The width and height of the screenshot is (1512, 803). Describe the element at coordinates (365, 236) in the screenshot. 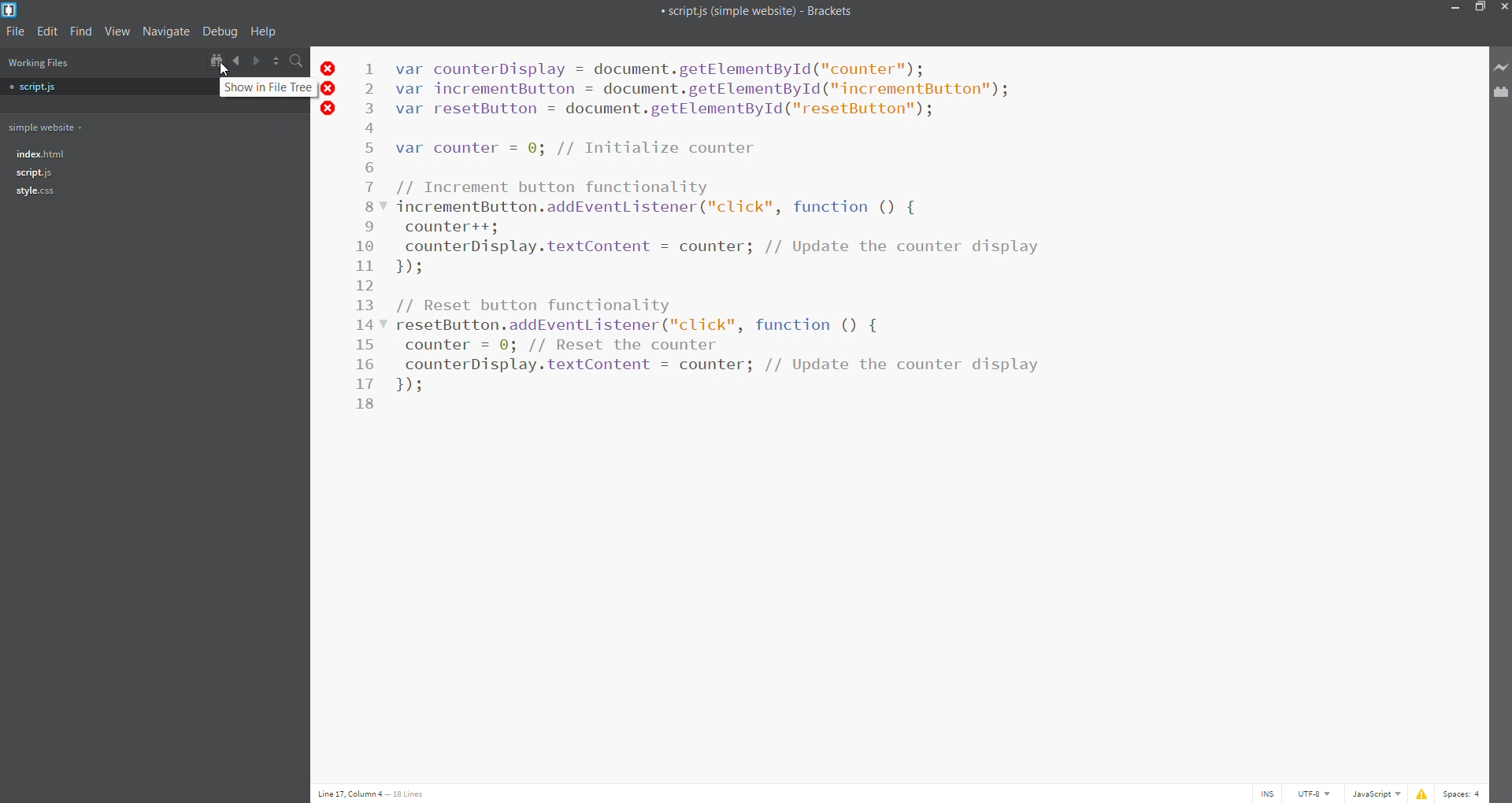

I see `line number` at that location.